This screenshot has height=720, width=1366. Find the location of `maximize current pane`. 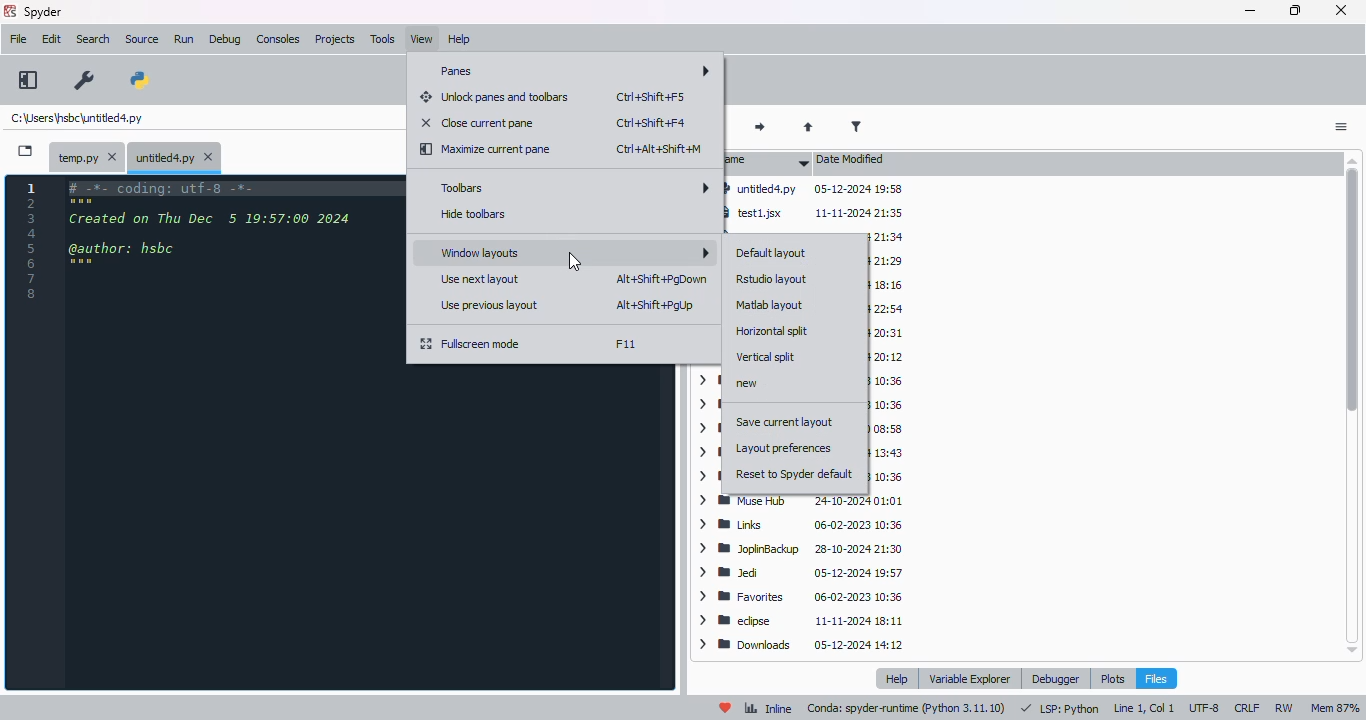

maximize current pane is located at coordinates (487, 150).